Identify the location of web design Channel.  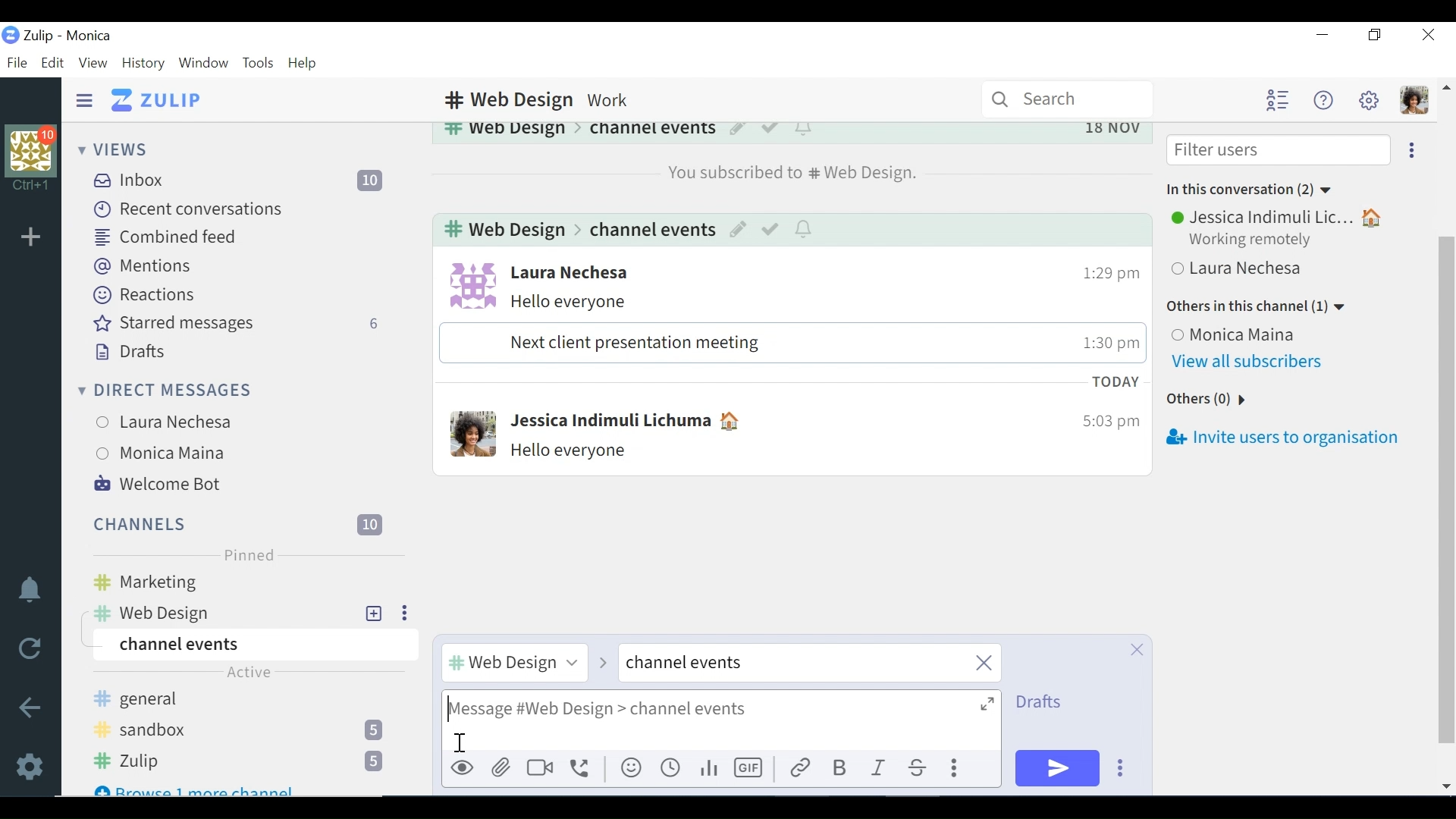
(221, 613).